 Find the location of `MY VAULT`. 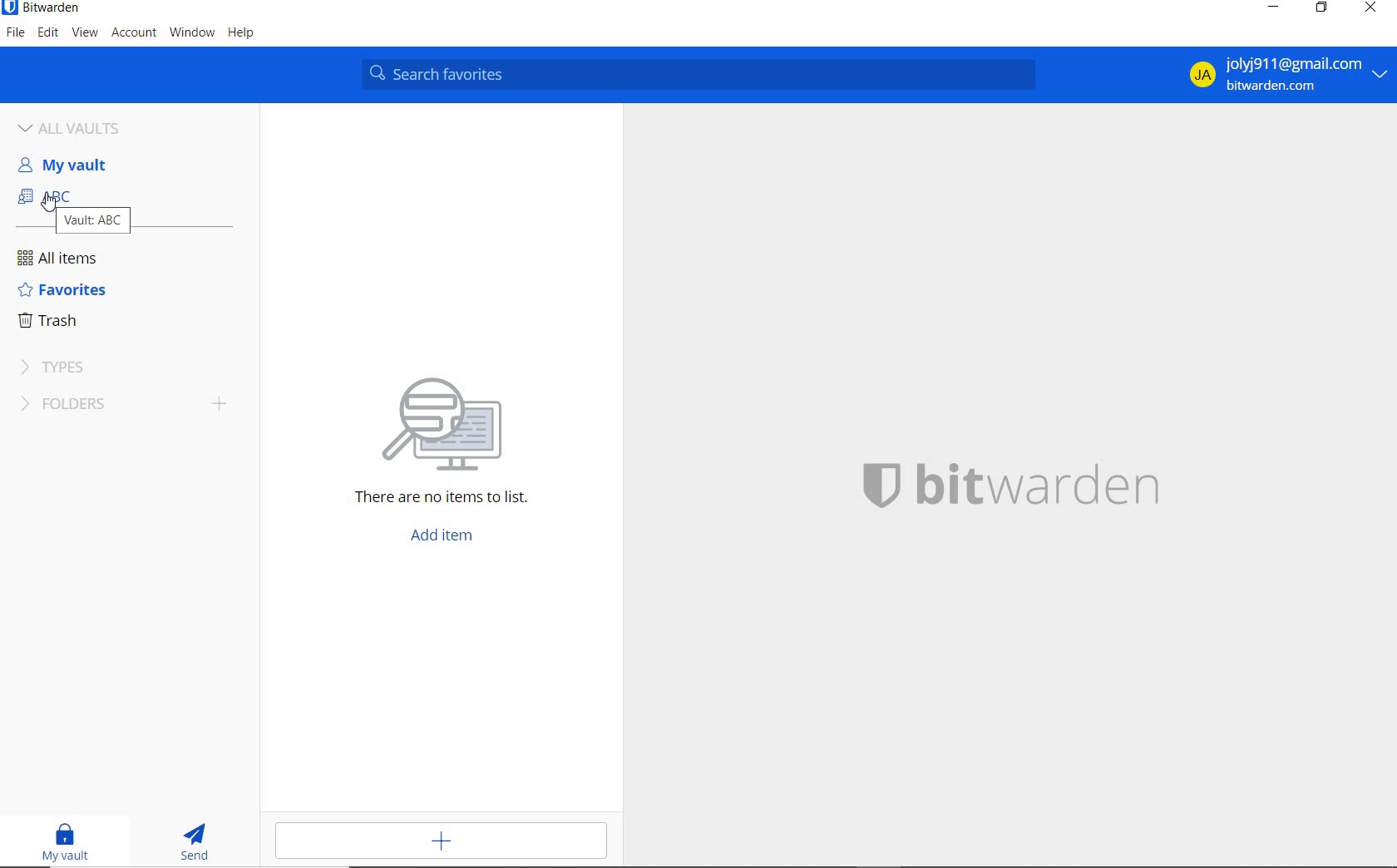

MY VAULT is located at coordinates (68, 842).